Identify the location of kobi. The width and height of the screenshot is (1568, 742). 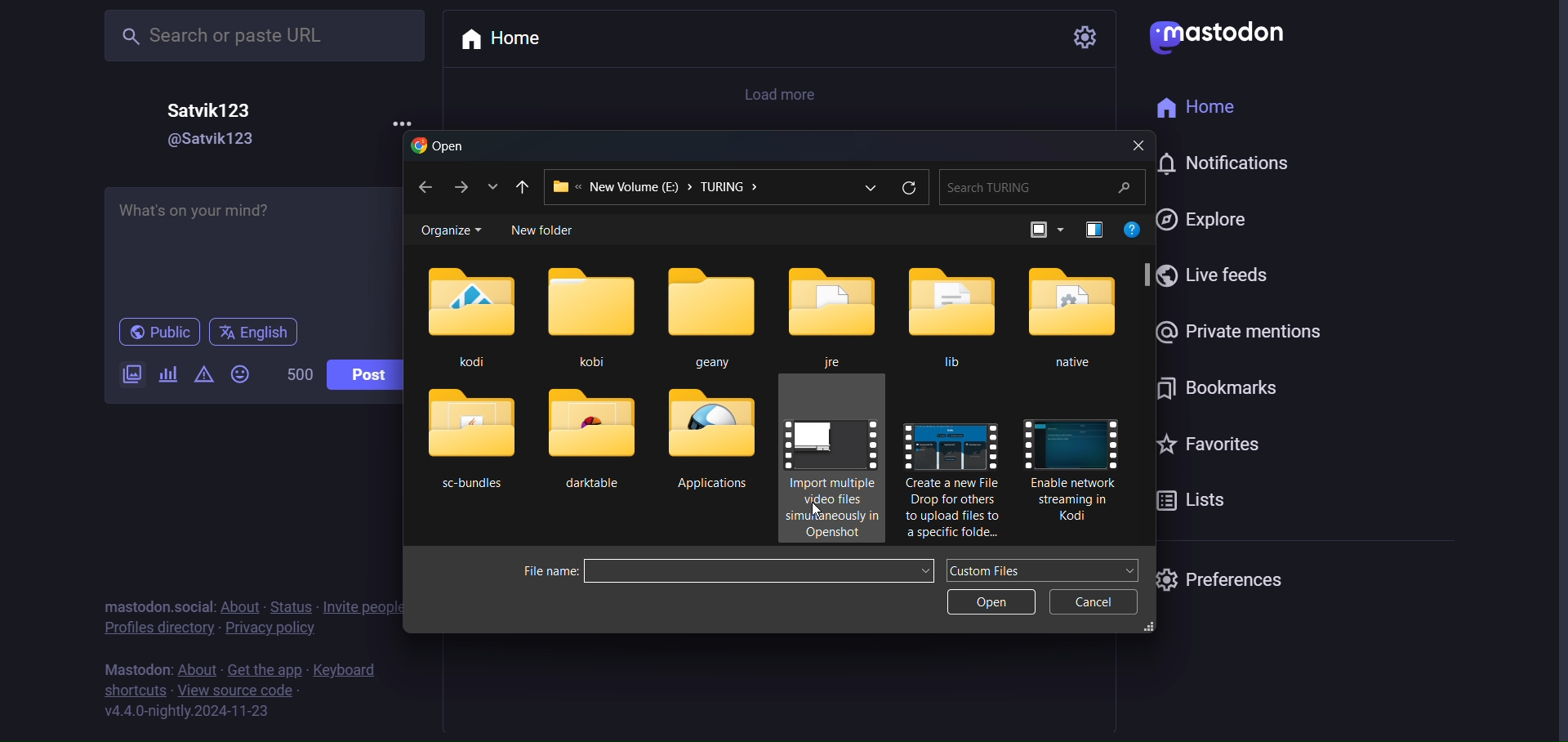
(591, 311).